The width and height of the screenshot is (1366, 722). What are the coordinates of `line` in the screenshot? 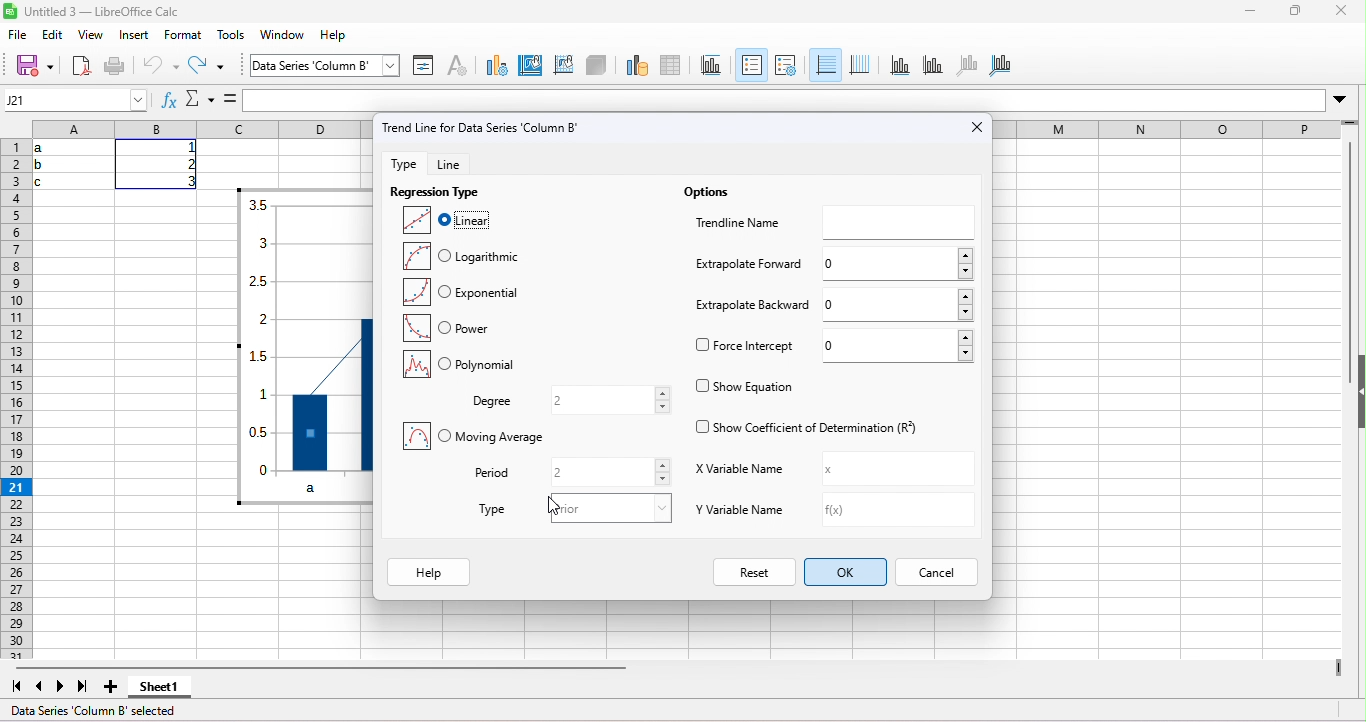 It's located at (477, 163).